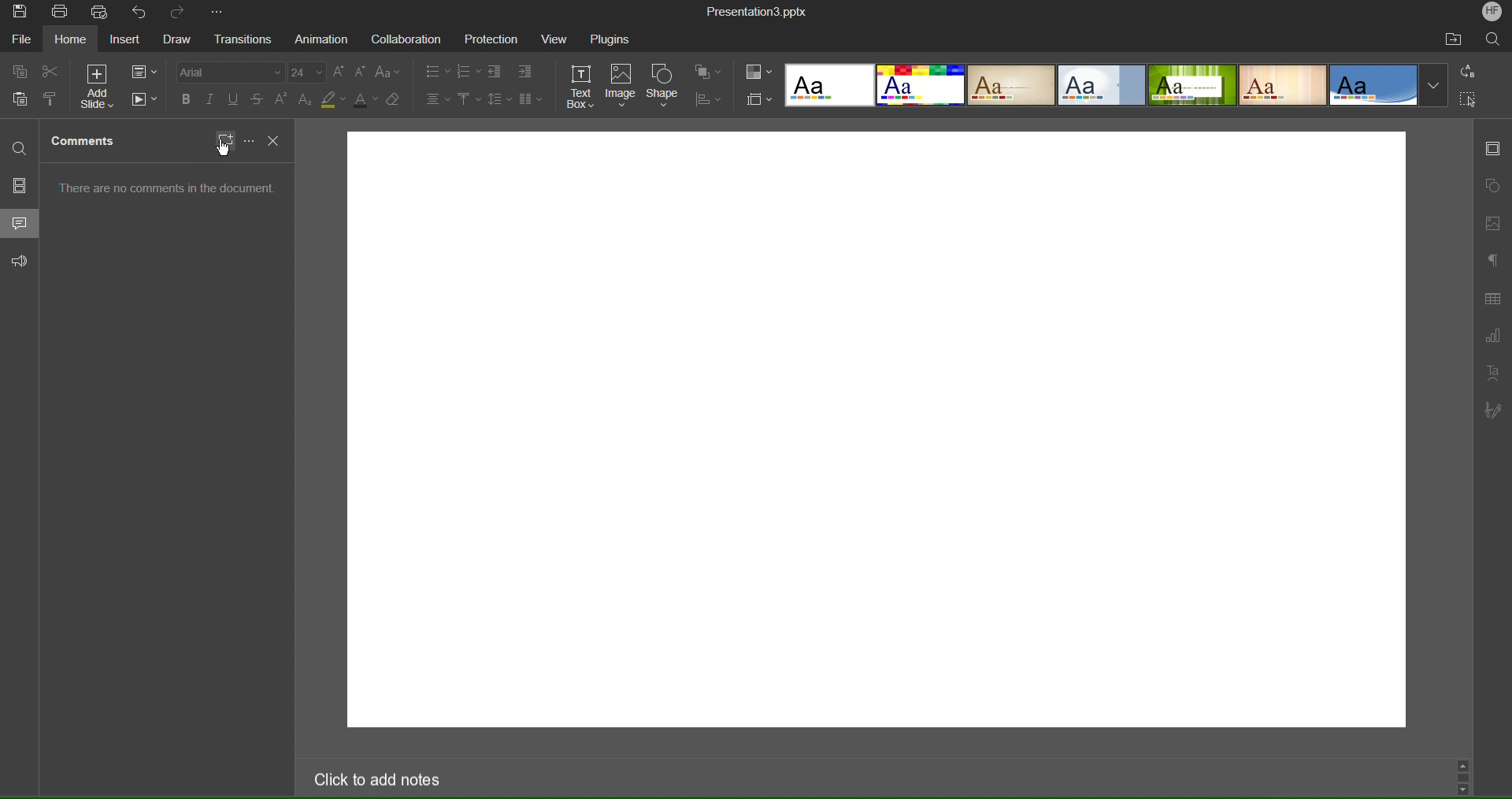 The image size is (1512, 799). What do you see at coordinates (51, 72) in the screenshot?
I see `cut` at bounding box center [51, 72].